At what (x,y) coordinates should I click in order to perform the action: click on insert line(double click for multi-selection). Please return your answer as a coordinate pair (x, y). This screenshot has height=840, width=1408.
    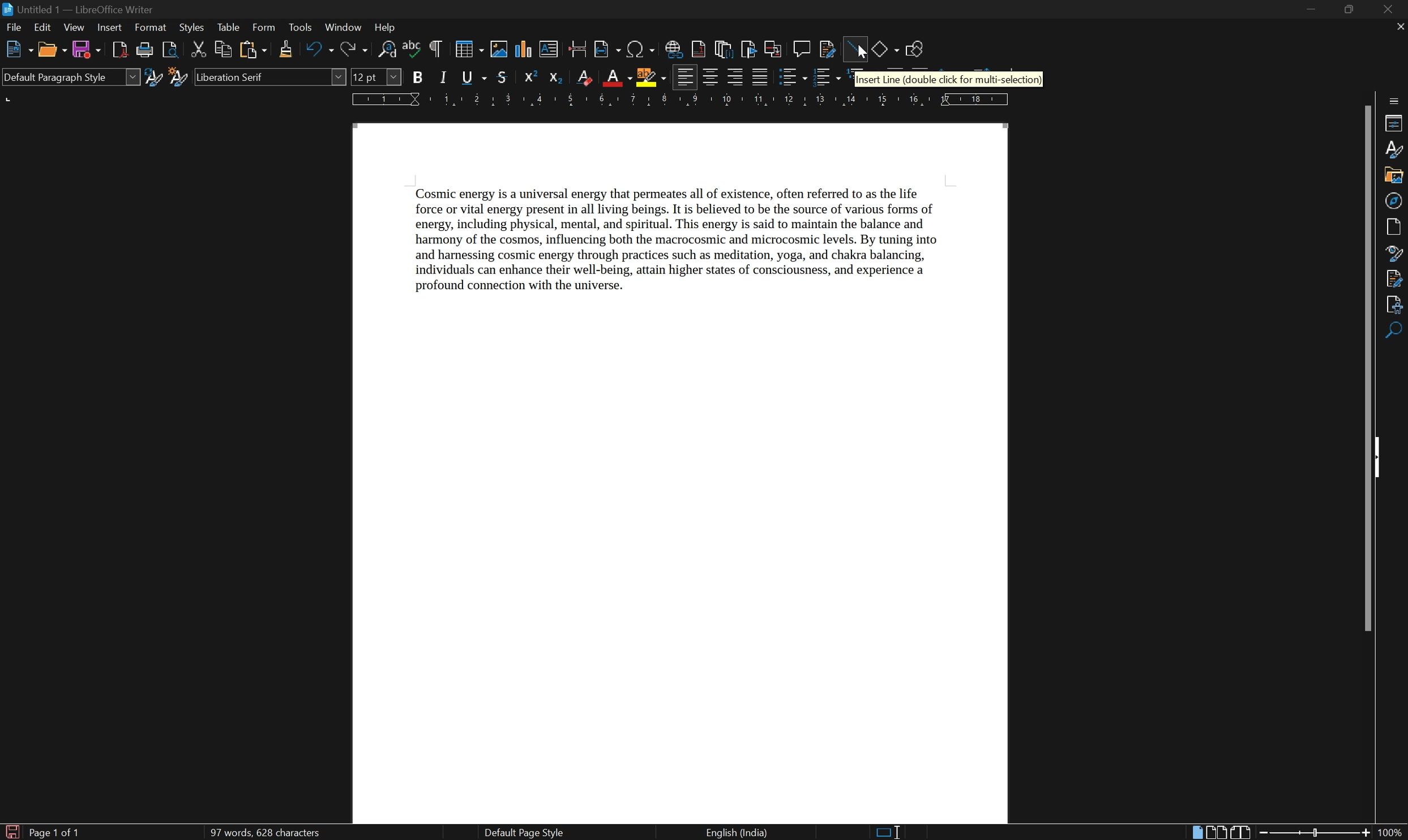
    Looking at the image, I should click on (949, 79).